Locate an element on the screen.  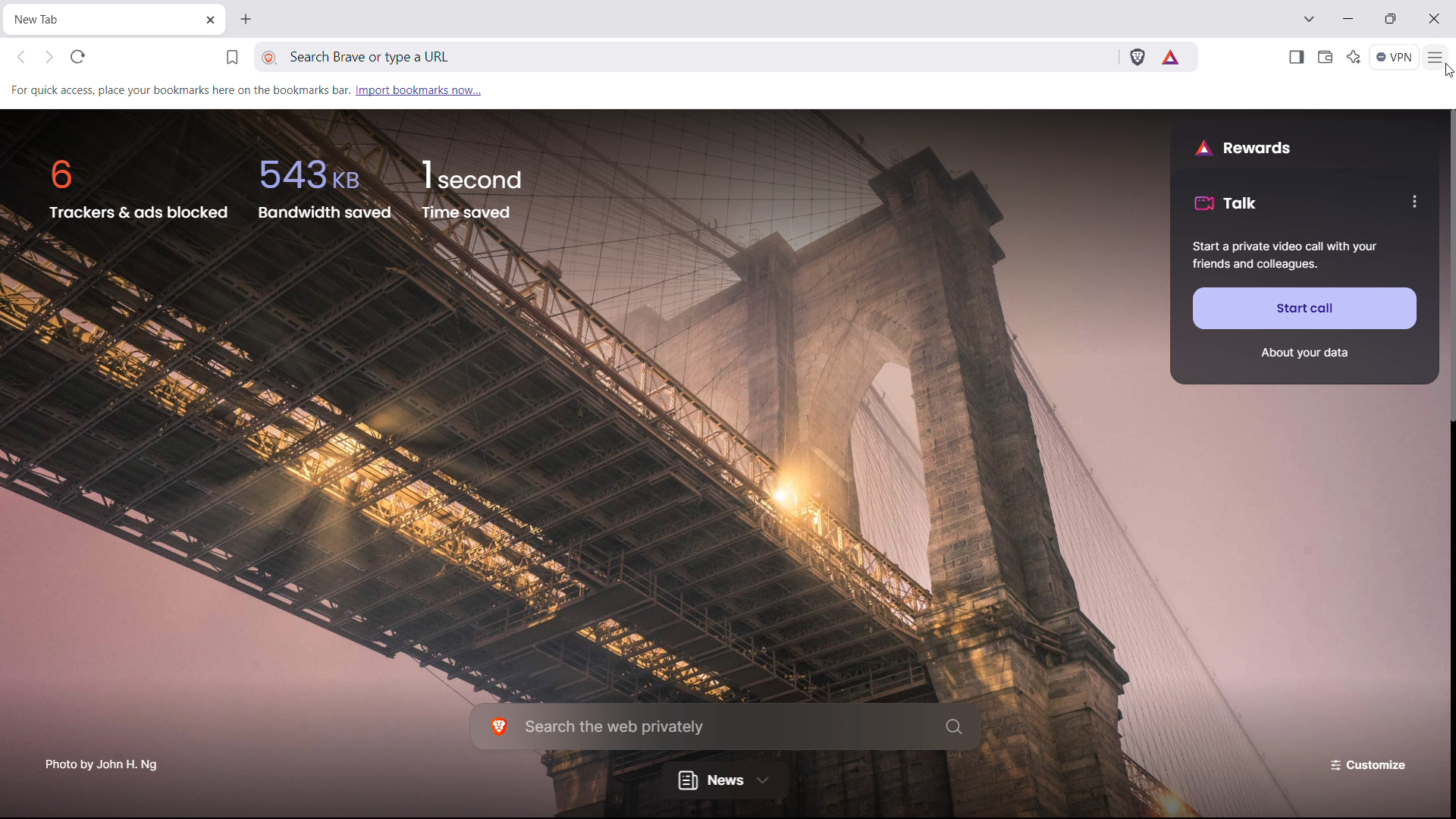
customize and control is located at coordinates (1436, 58).